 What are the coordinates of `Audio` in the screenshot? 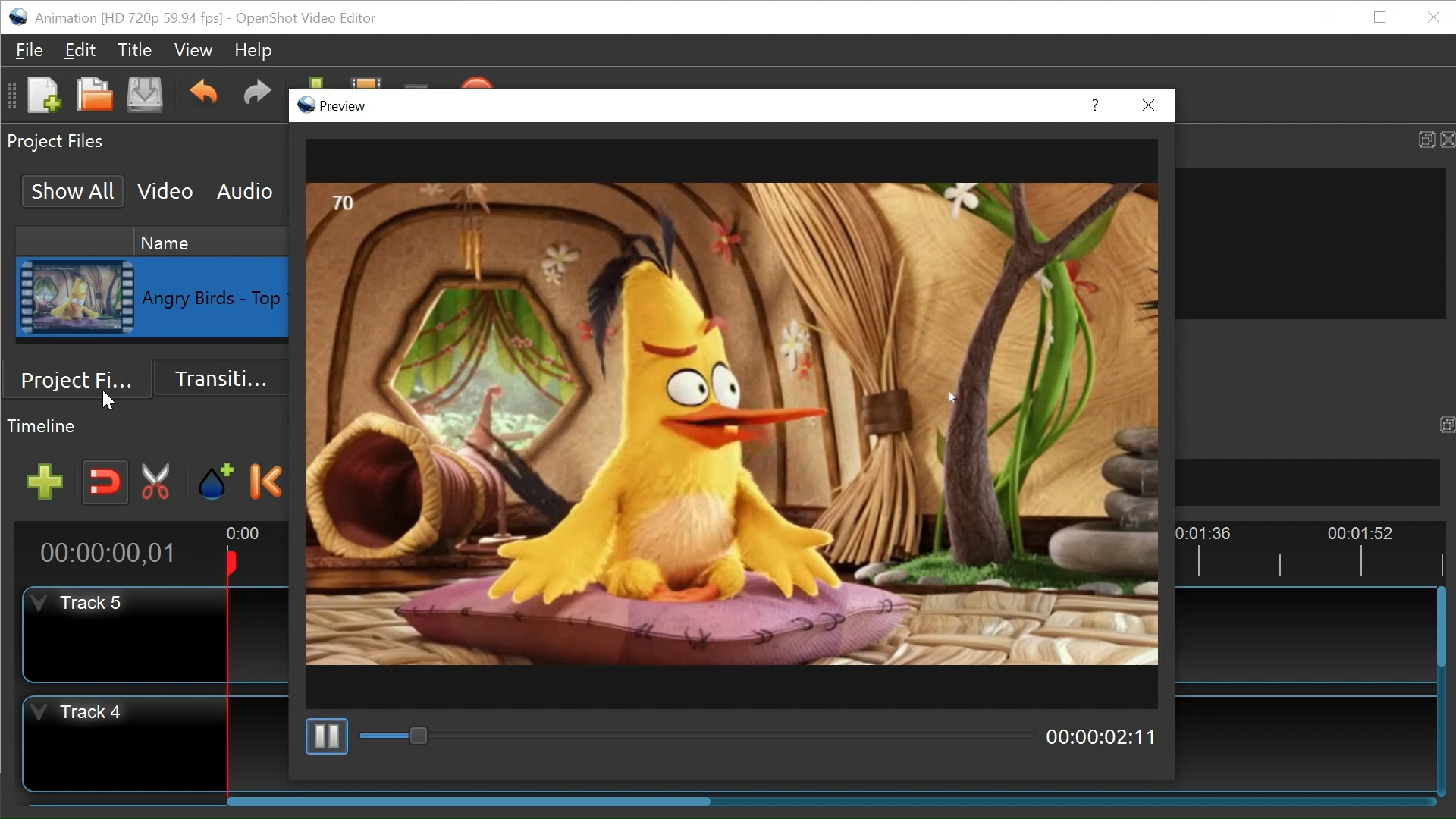 It's located at (244, 192).